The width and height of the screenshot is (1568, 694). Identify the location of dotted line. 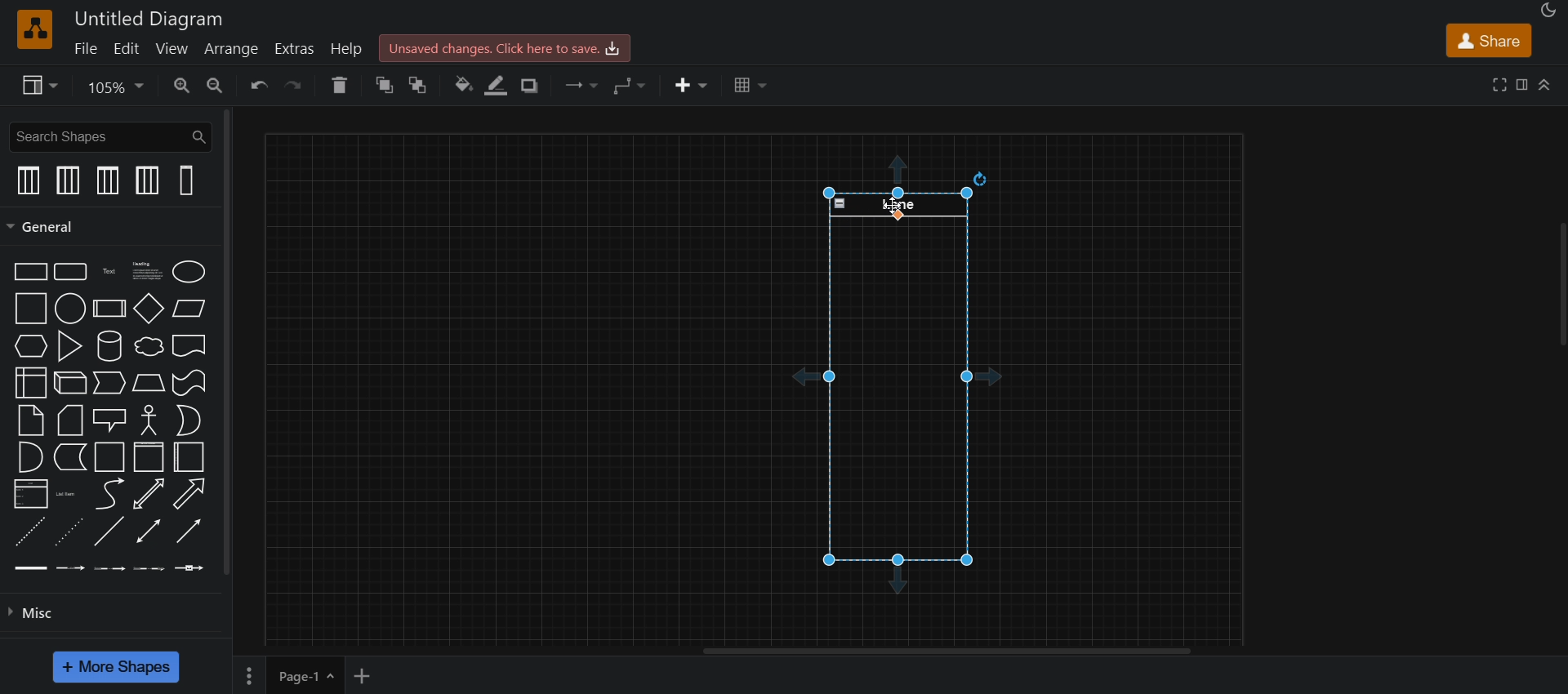
(69, 535).